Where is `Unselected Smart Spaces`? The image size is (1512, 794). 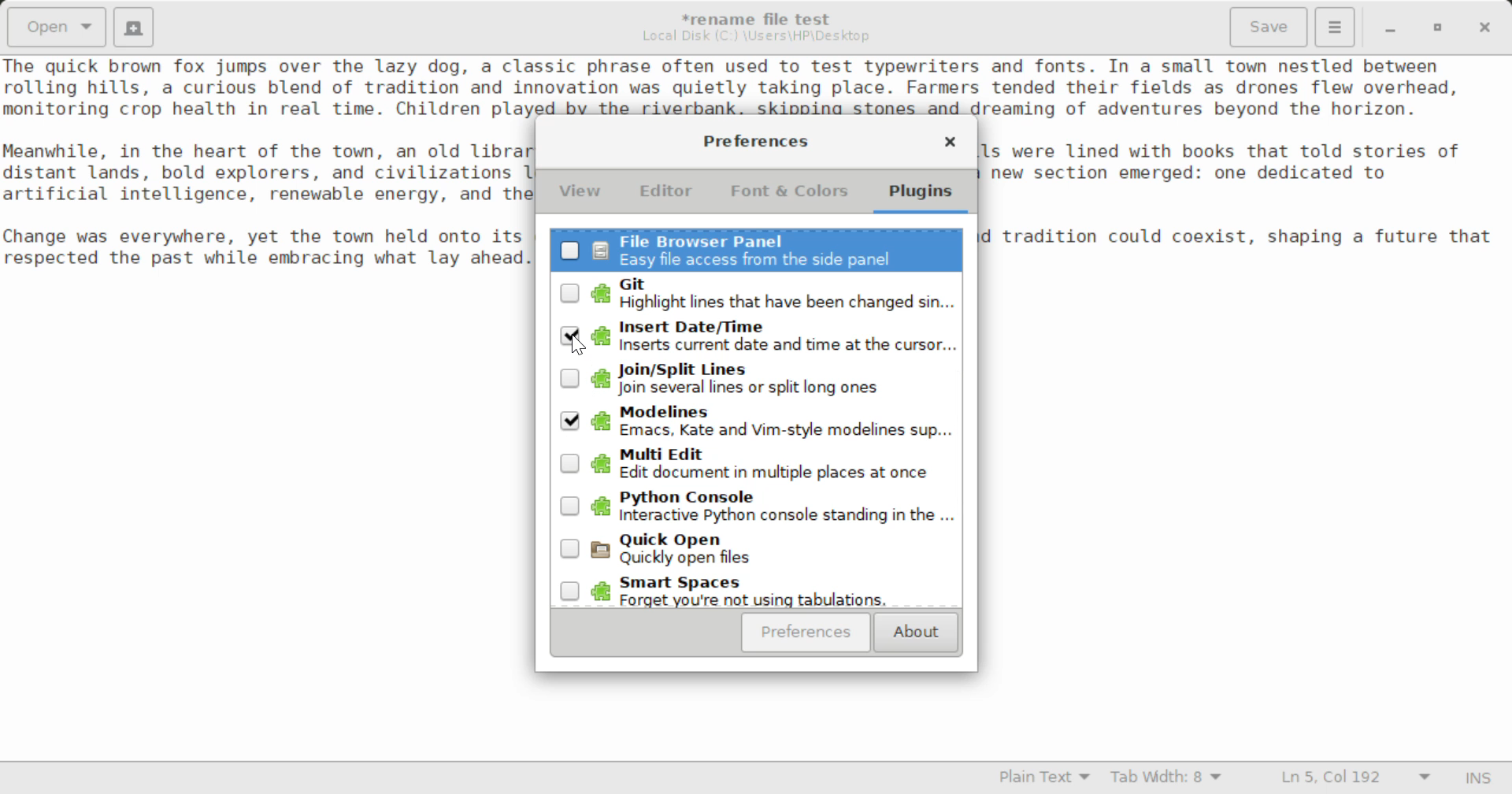
Unselected Smart Spaces is located at coordinates (754, 592).